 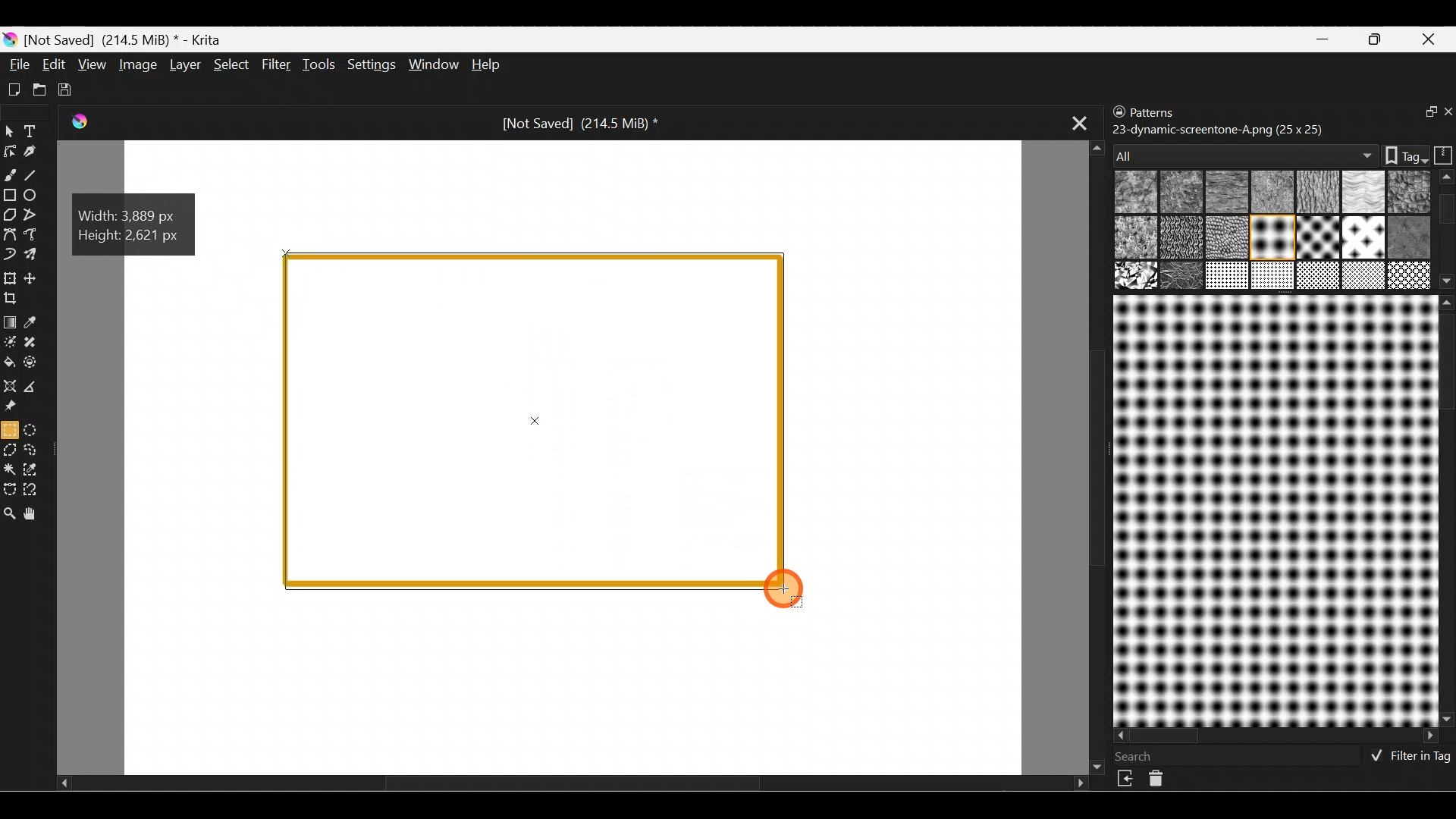 I want to click on 16 Texture_woody.png, so click(x=1228, y=277).